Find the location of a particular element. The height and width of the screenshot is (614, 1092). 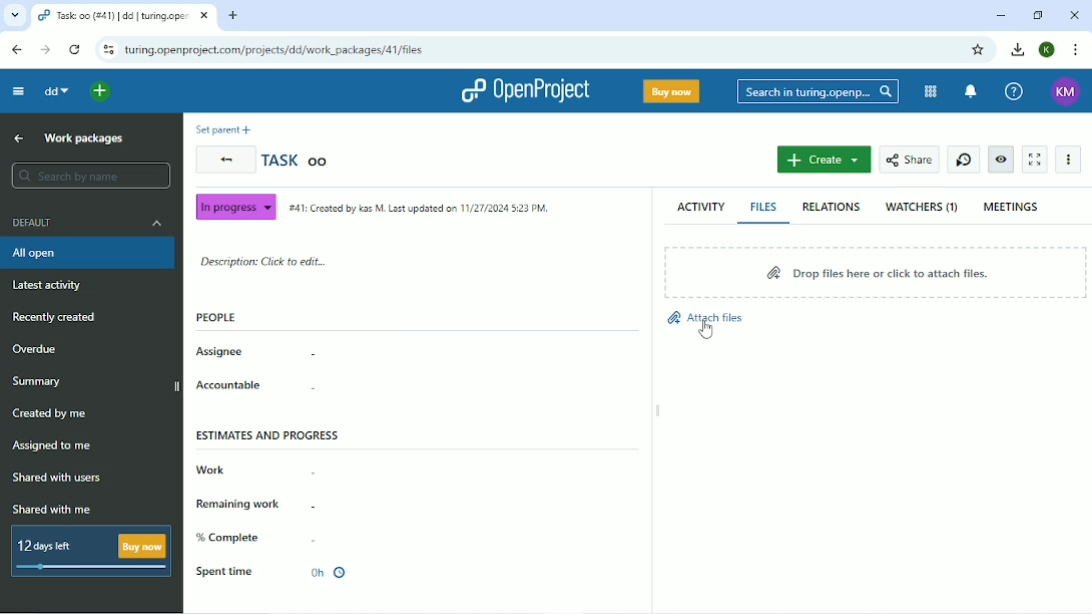

Files is located at coordinates (765, 207).